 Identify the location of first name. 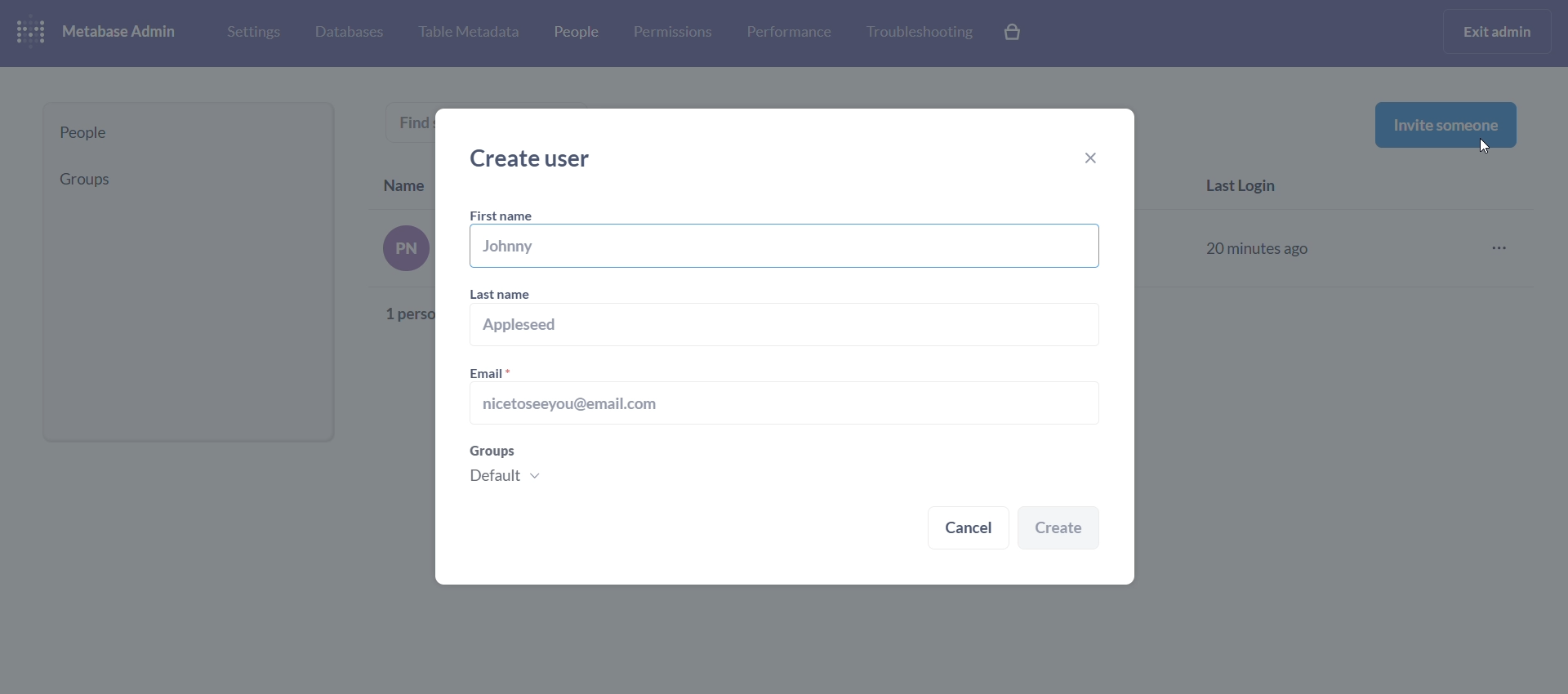
(791, 240).